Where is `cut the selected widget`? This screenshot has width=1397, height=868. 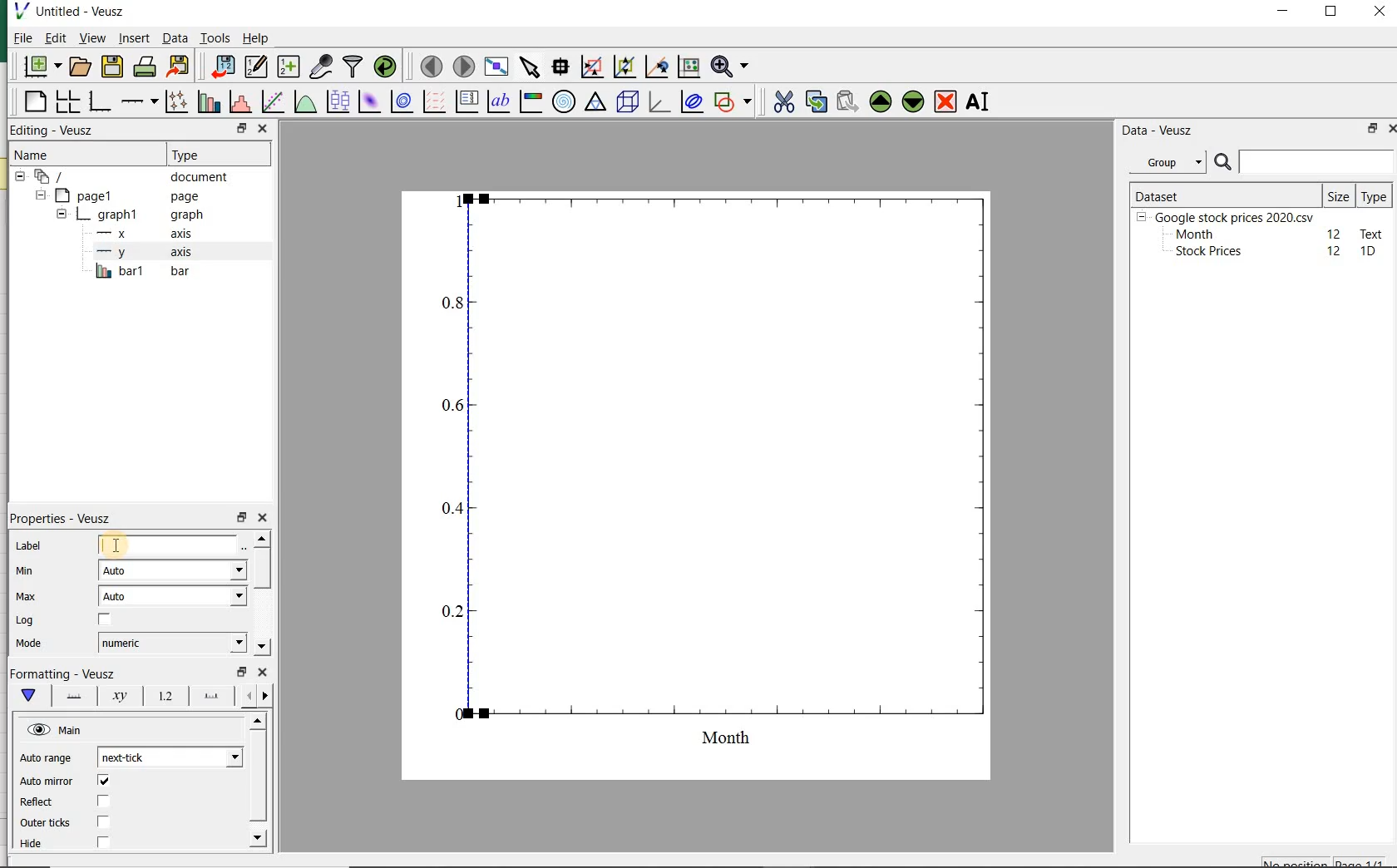 cut the selected widget is located at coordinates (785, 104).